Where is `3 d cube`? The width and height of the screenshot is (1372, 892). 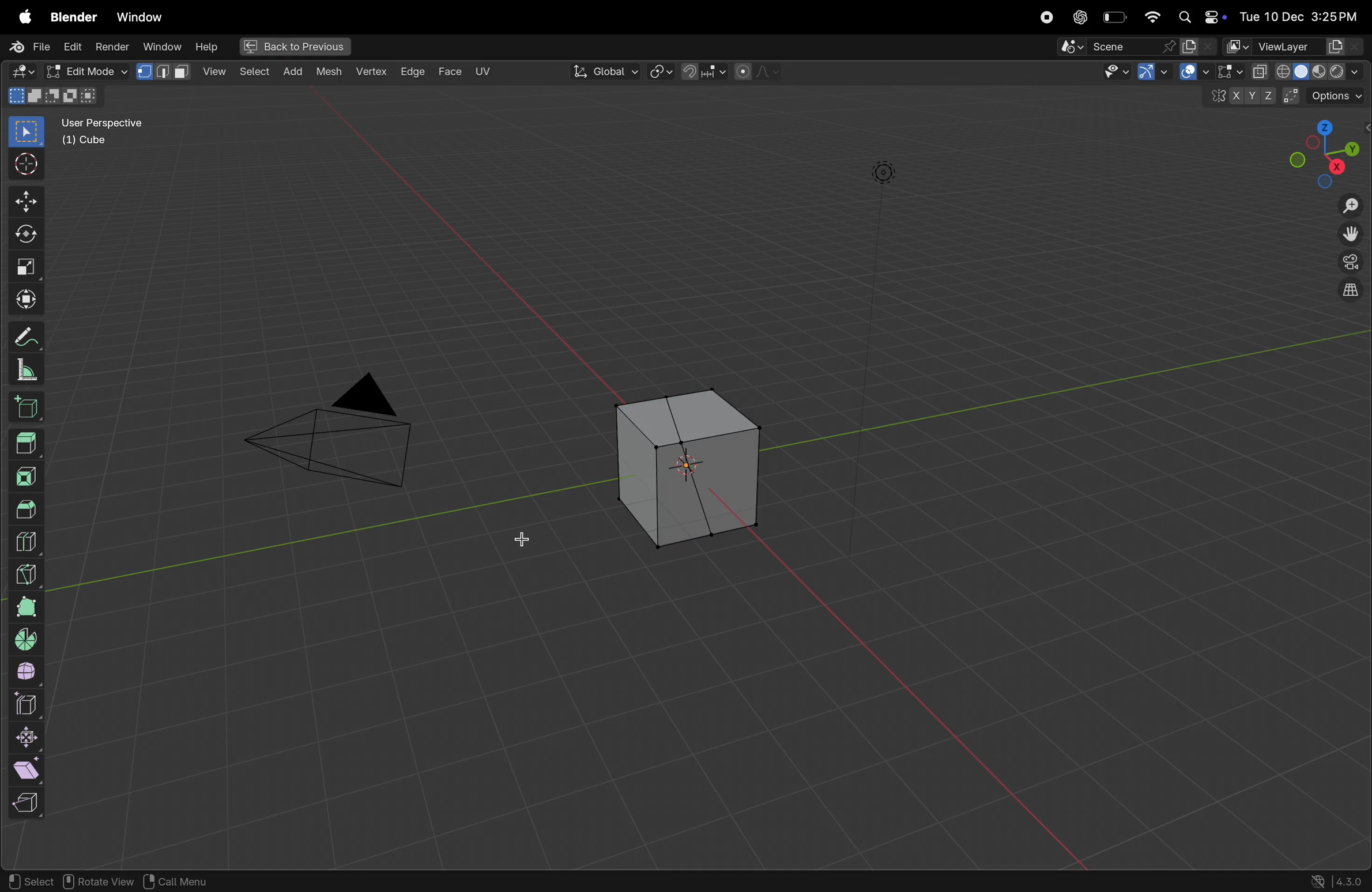
3 d cube is located at coordinates (681, 469).